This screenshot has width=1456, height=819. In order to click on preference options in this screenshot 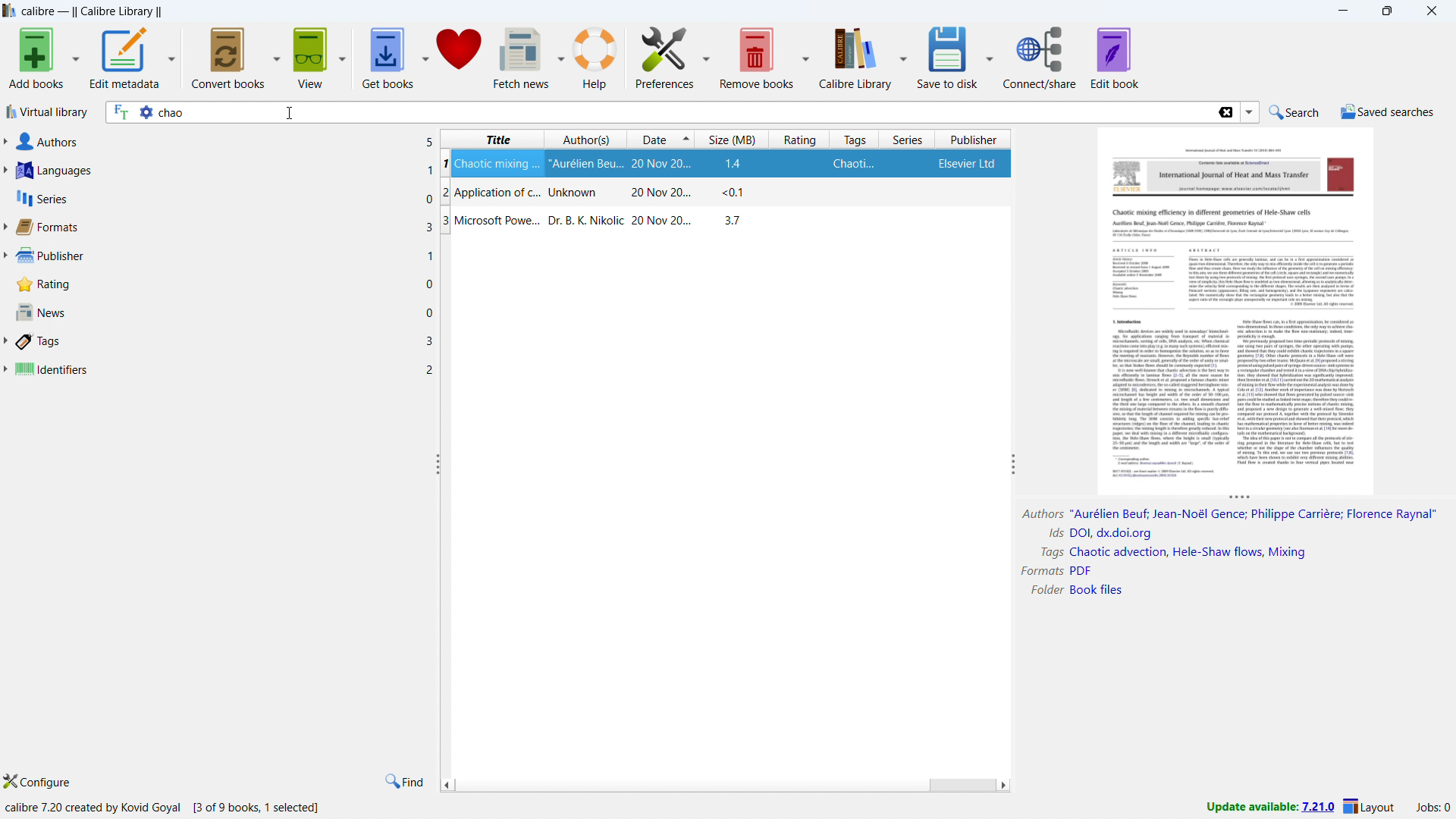, I will do `click(706, 56)`.